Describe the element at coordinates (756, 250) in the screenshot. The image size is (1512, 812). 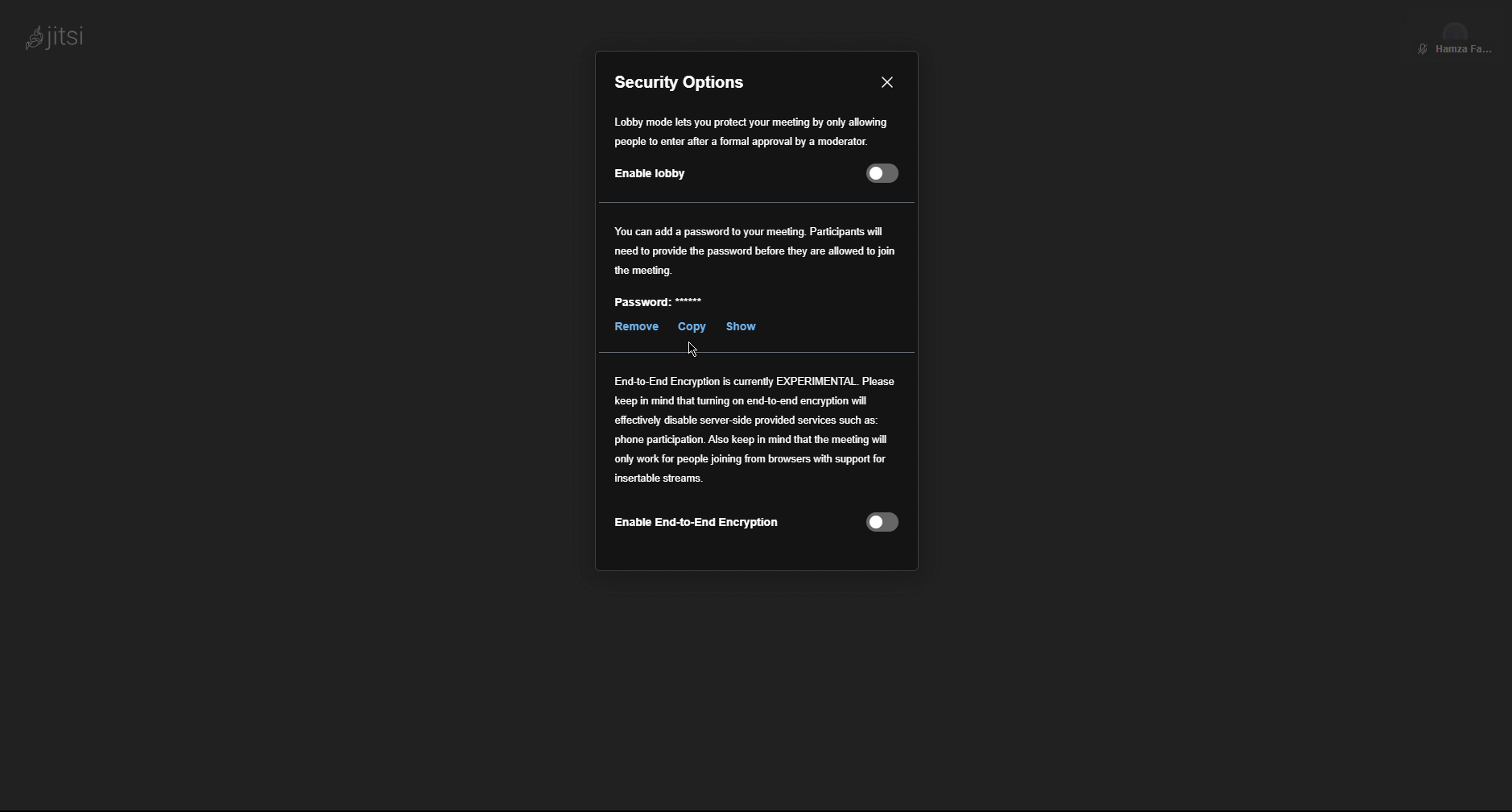
I see `Password` at that location.